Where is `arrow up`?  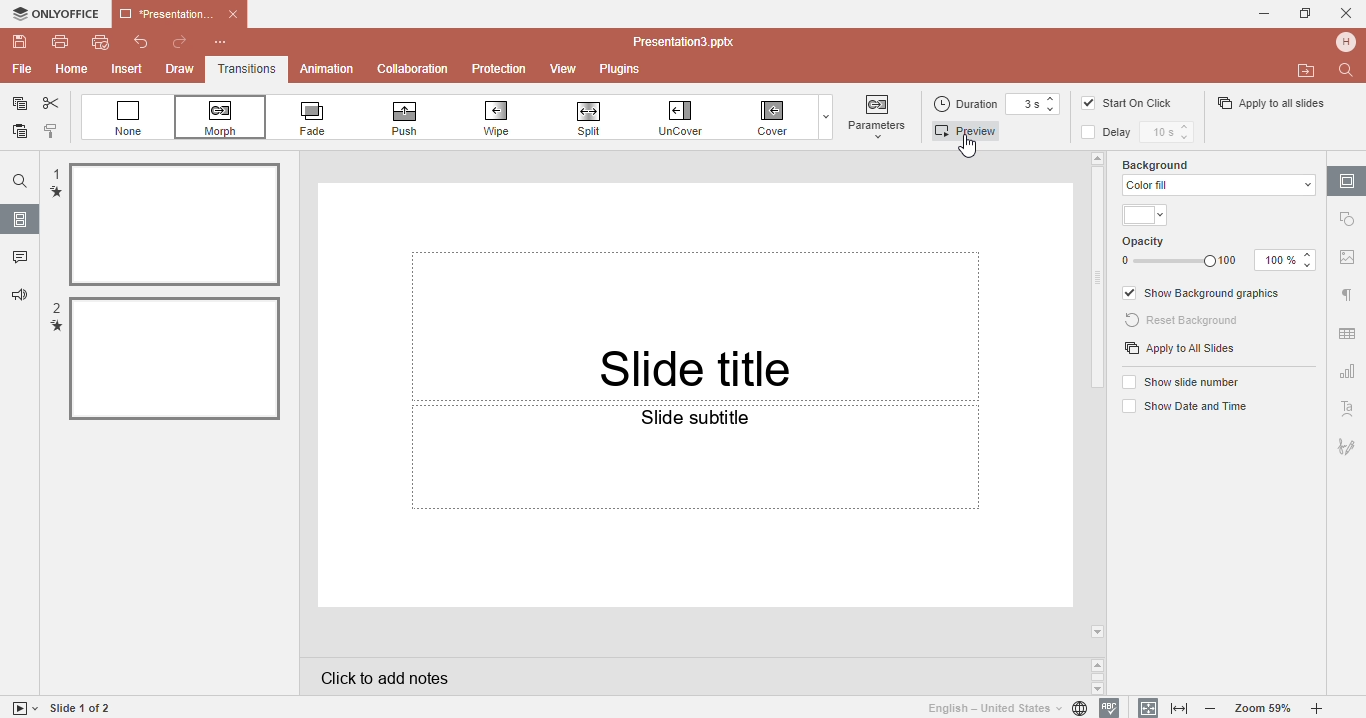
arrow up is located at coordinates (1097, 157).